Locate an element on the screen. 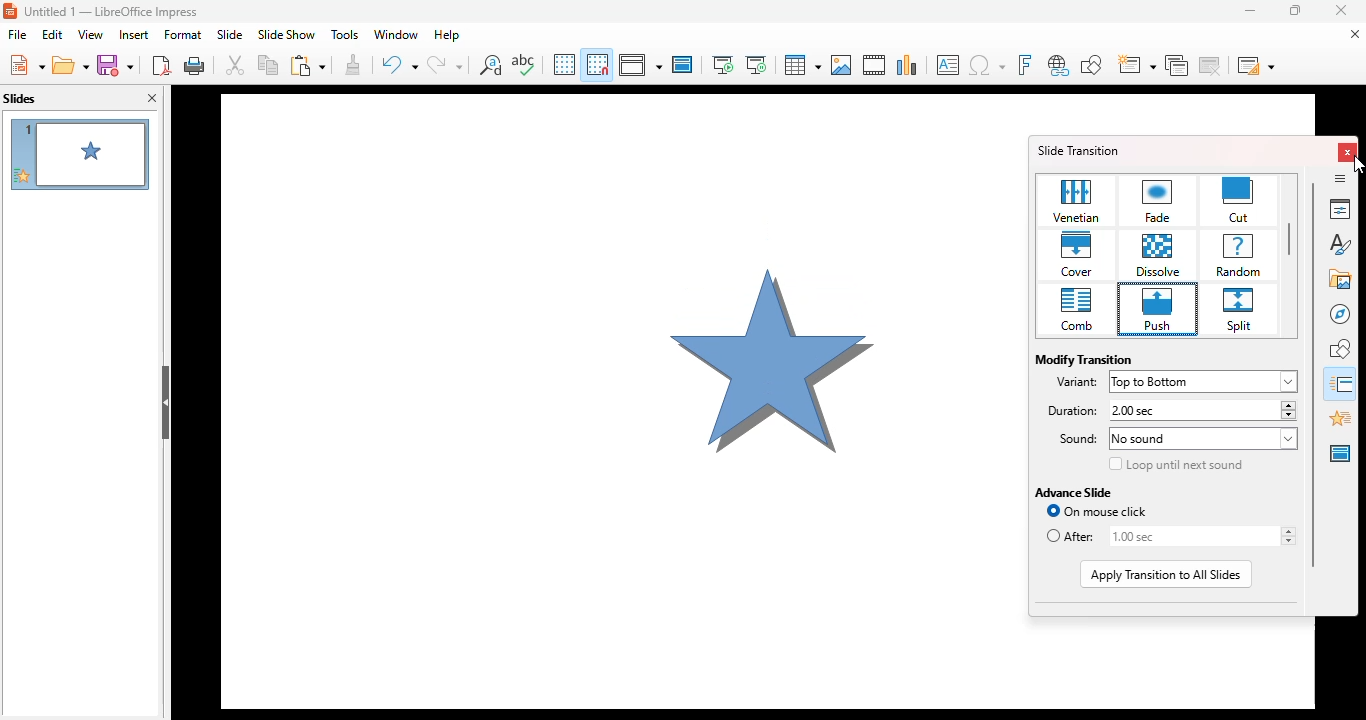 The height and width of the screenshot is (720, 1366). after is located at coordinates (1071, 537).